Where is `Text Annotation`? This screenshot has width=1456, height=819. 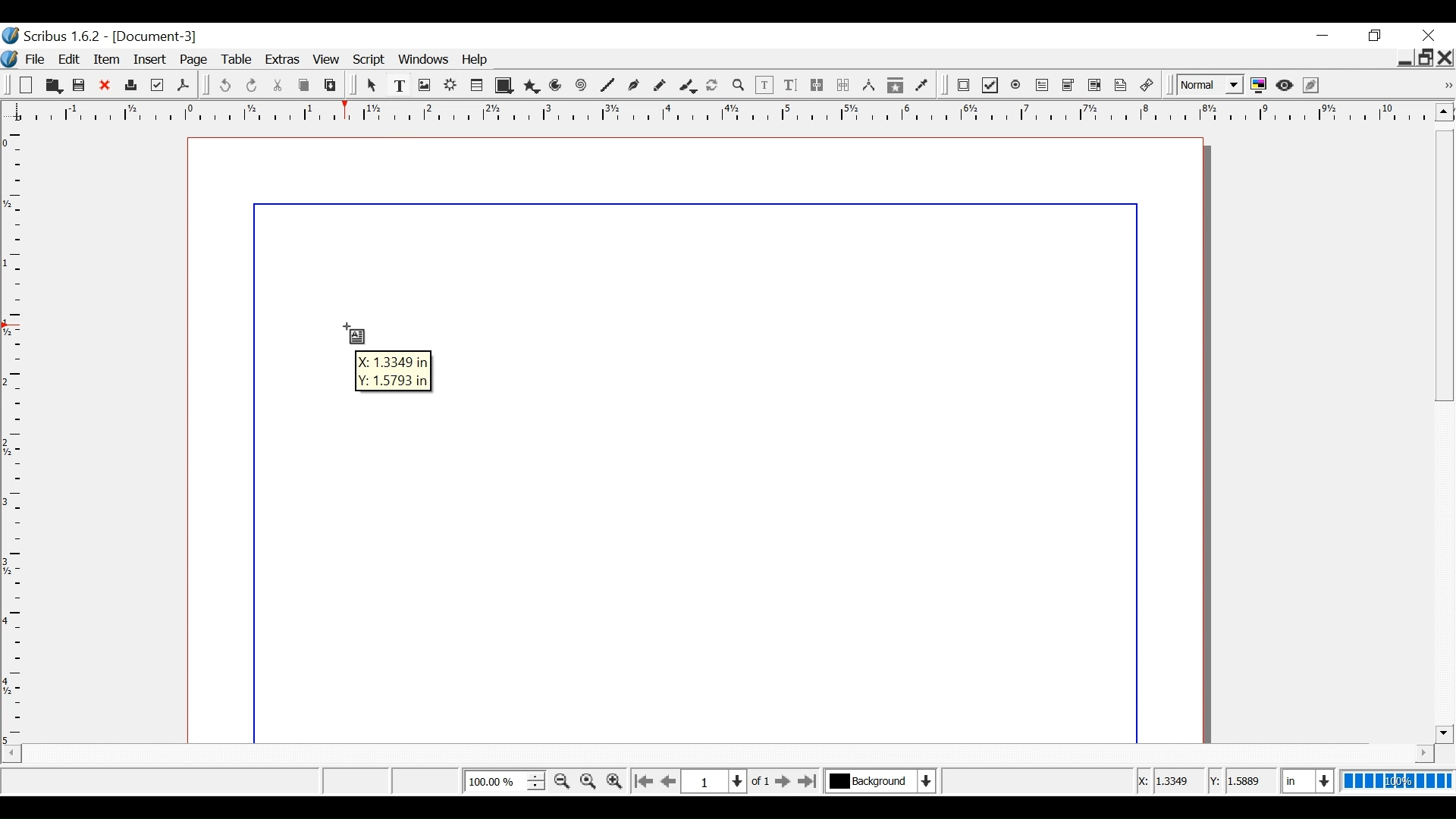 Text Annotation is located at coordinates (1122, 86).